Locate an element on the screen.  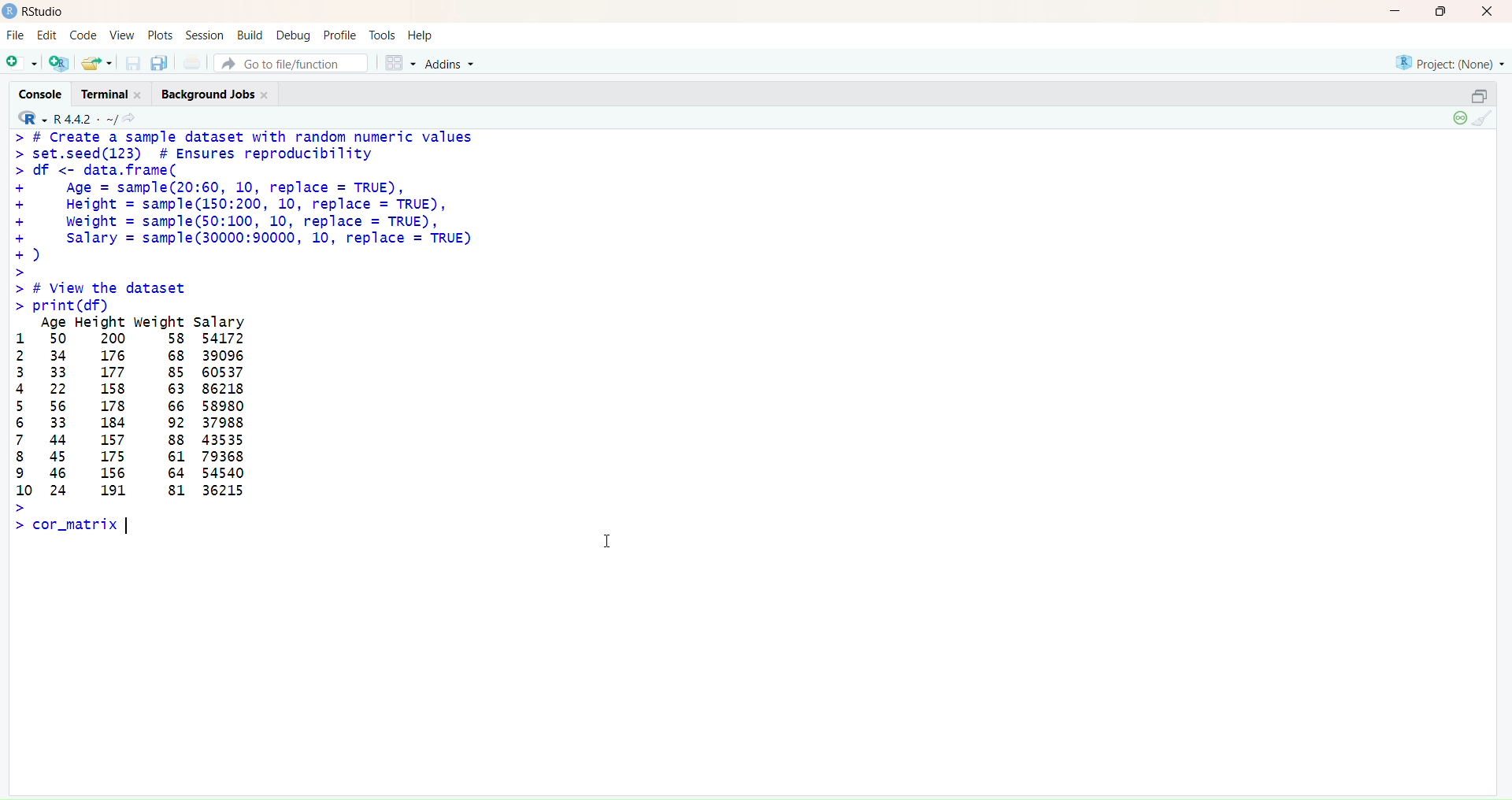
View is located at coordinates (121, 35).